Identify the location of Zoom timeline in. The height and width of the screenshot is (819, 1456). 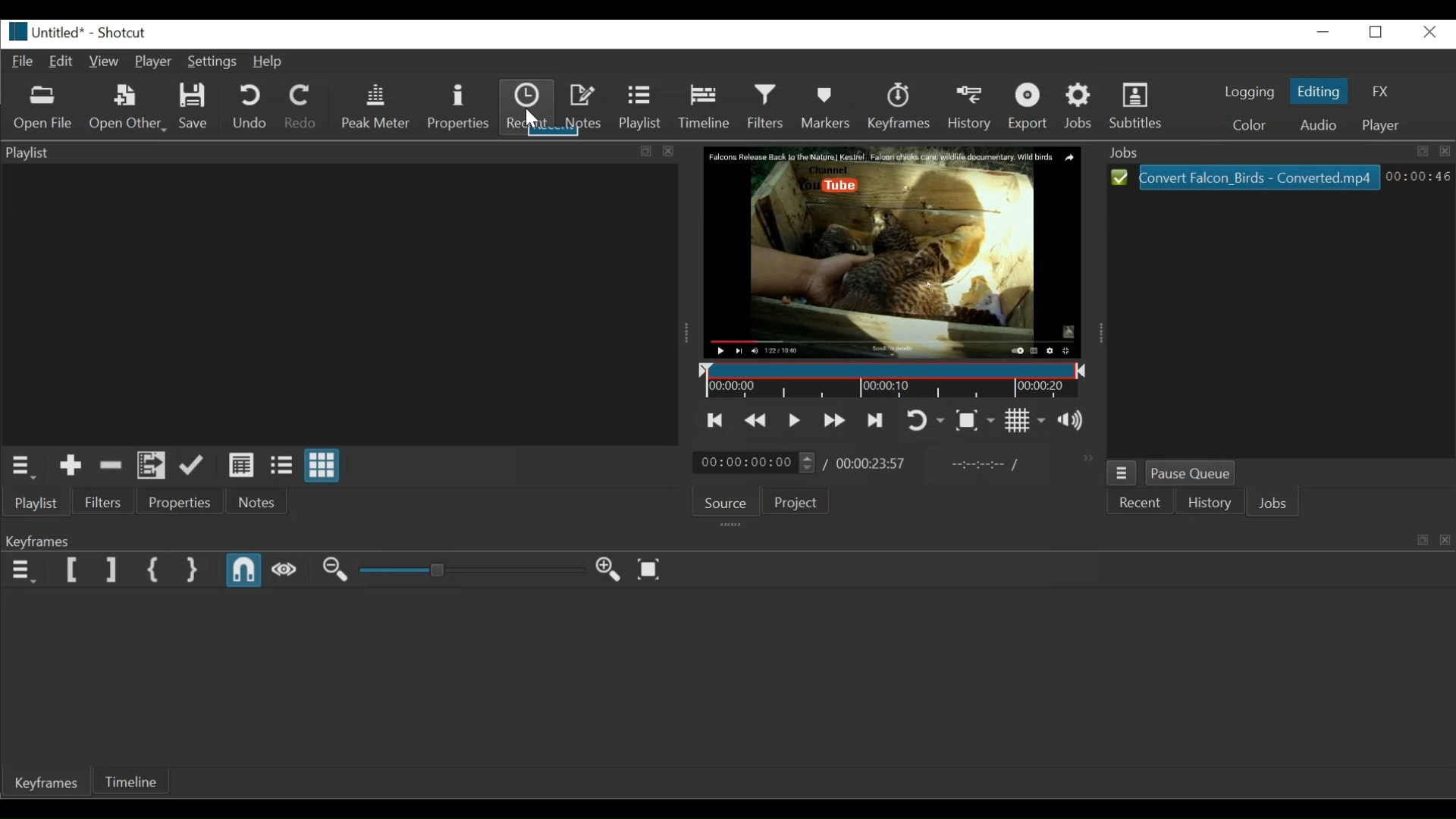
(607, 569).